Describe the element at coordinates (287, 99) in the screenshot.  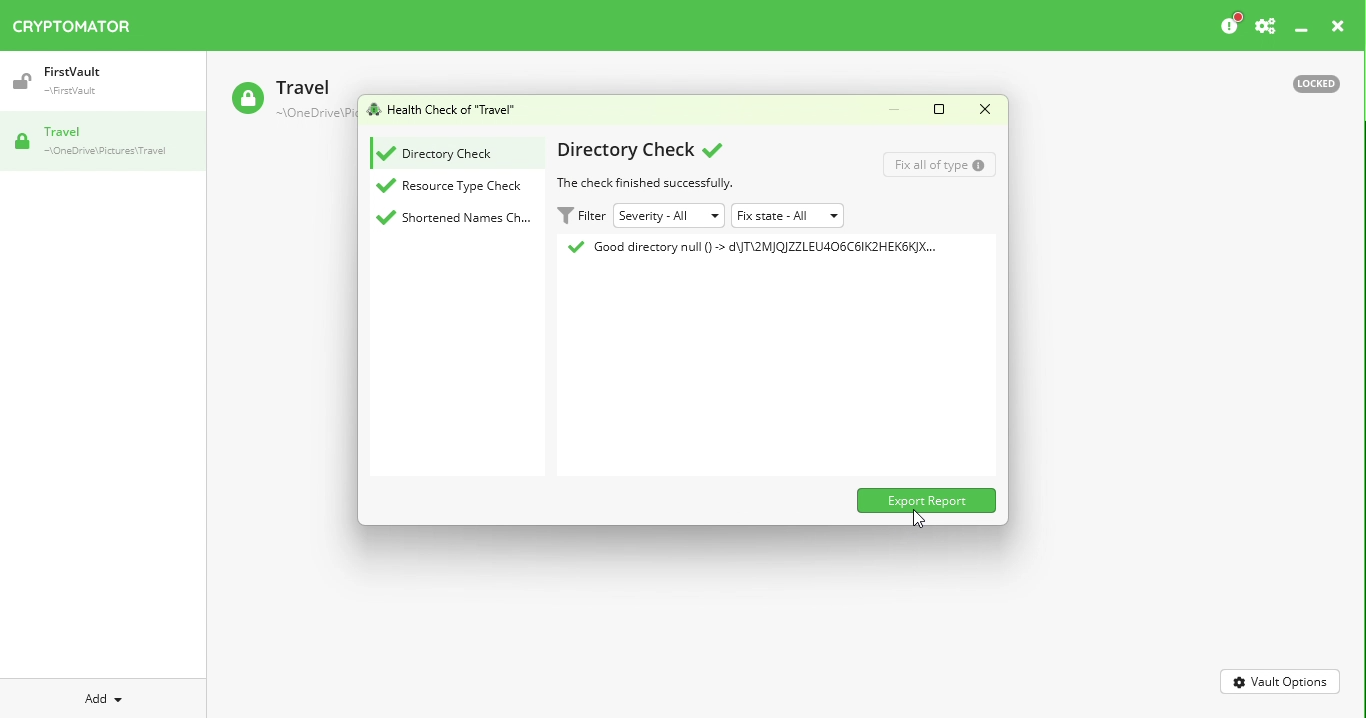
I see `Travel` at that location.